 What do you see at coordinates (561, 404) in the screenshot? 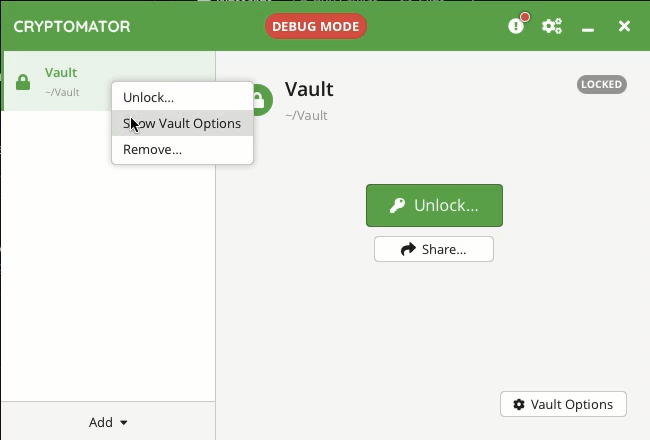
I see `Vault Options` at bounding box center [561, 404].